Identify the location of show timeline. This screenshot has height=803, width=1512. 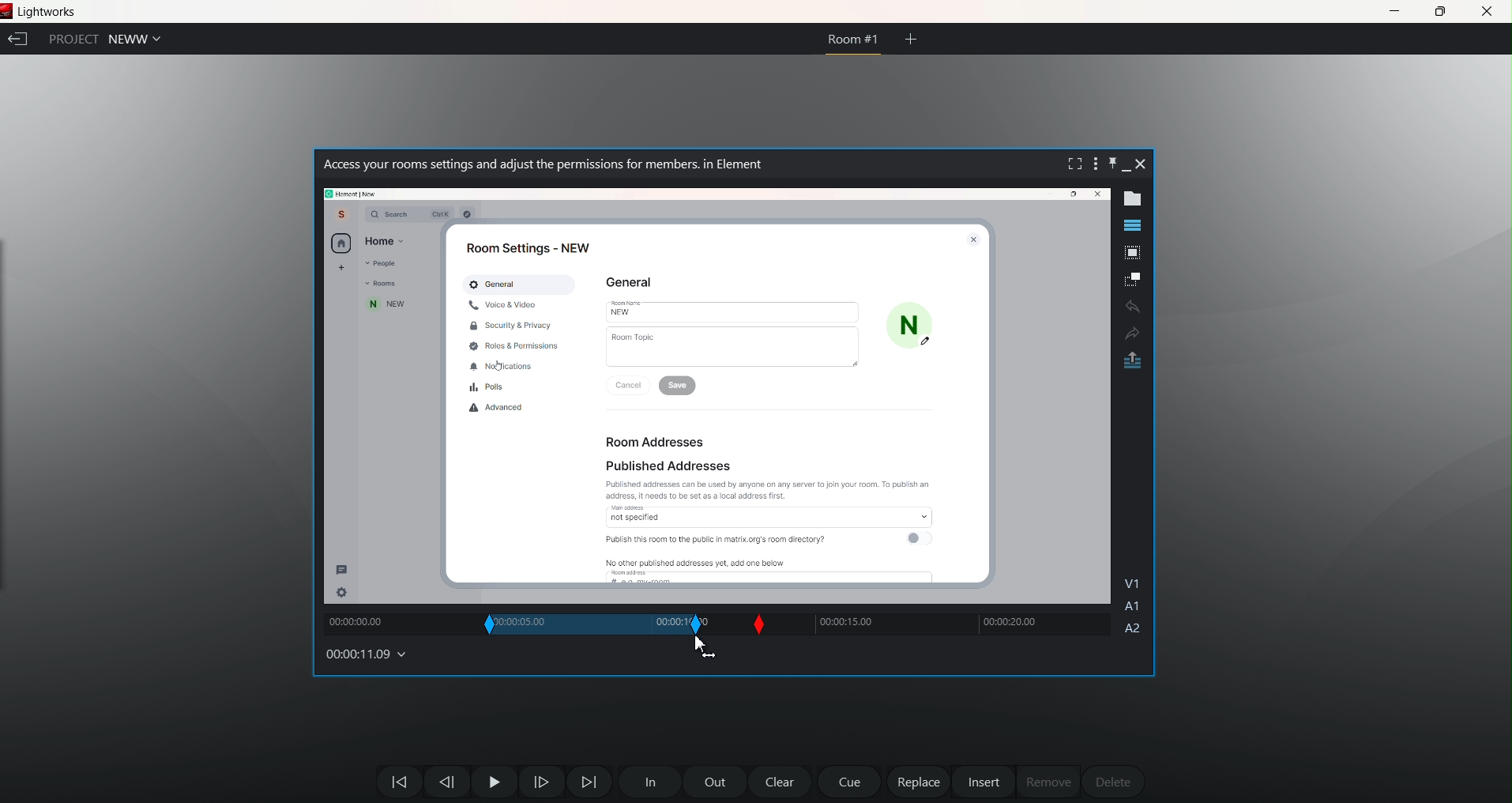
(1130, 225).